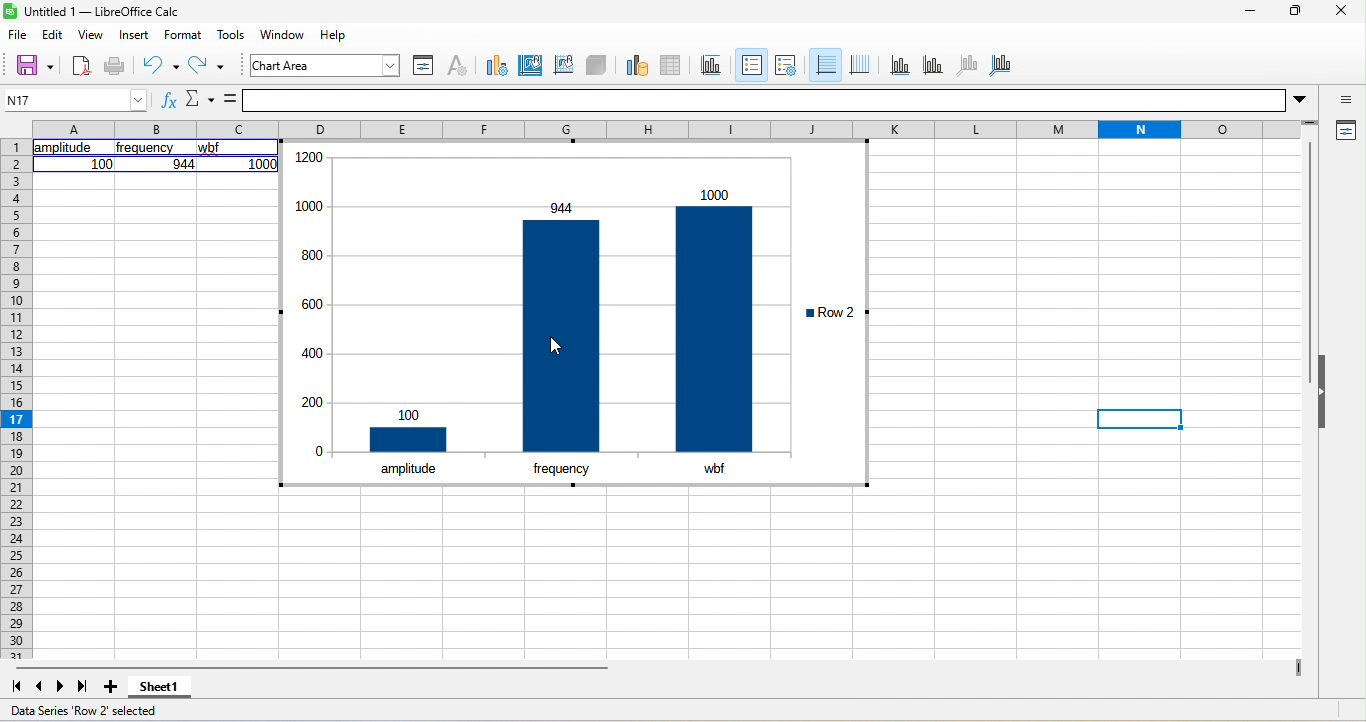 The width and height of the screenshot is (1366, 722). What do you see at coordinates (902, 65) in the screenshot?
I see `x axis` at bounding box center [902, 65].